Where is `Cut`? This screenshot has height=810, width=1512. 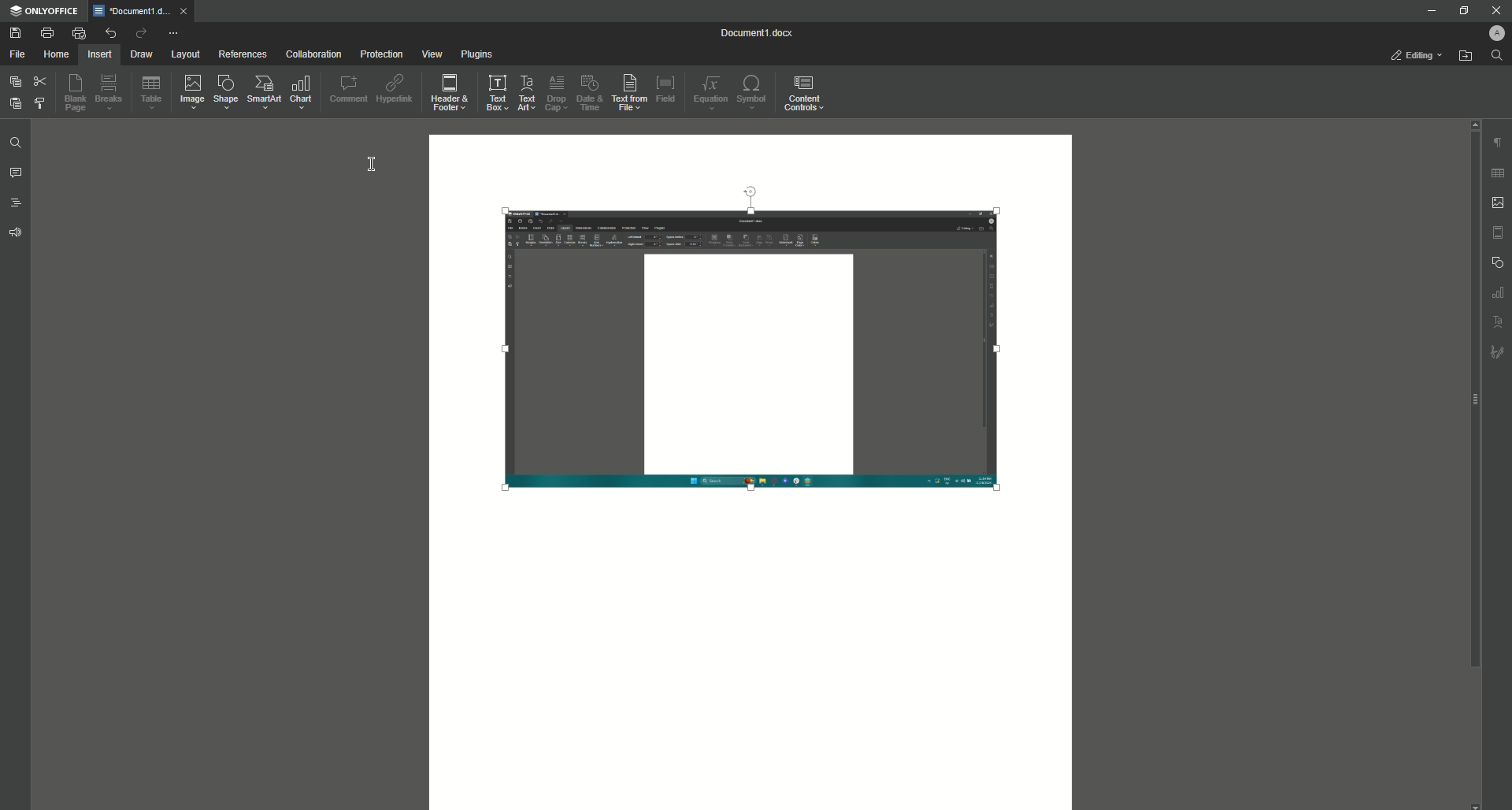
Cut is located at coordinates (43, 81).